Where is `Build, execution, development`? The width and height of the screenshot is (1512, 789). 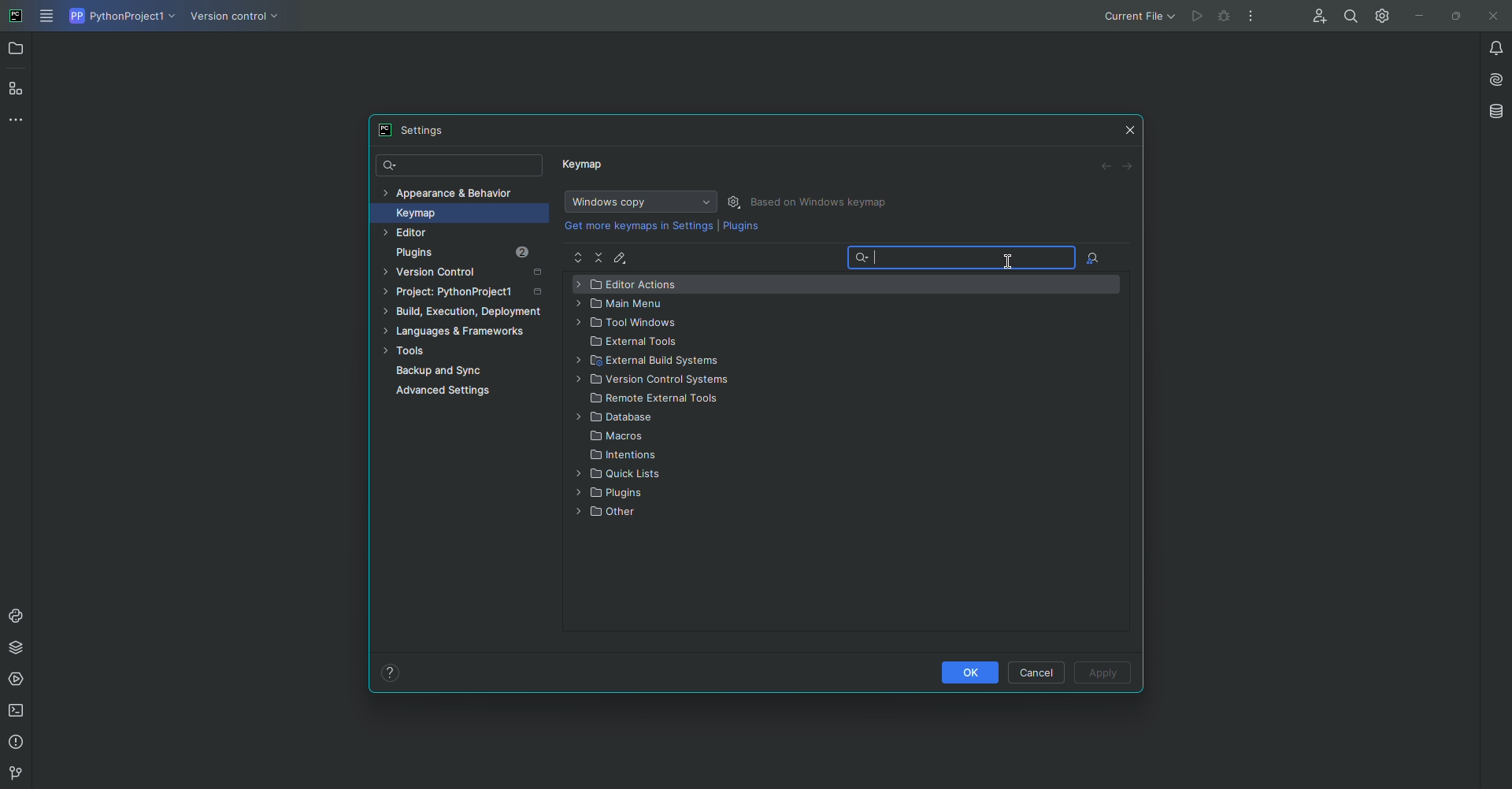 Build, execution, development is located at coordinates (467, 314).